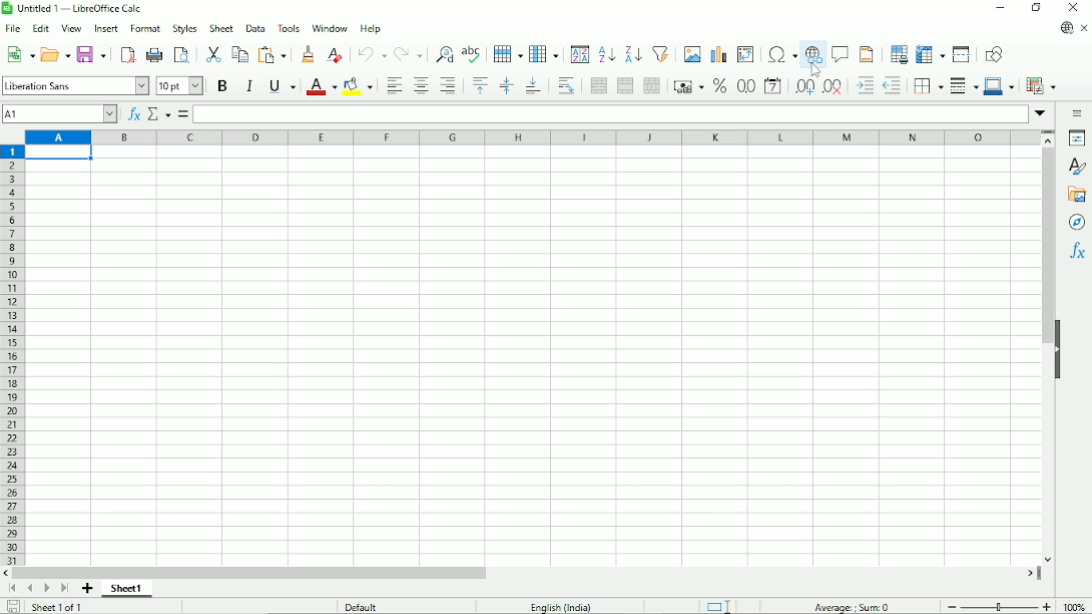 Image resolution: width=1092 pixels, height=614 pixels. I want to click on Clone formatting, so click(308, 54).